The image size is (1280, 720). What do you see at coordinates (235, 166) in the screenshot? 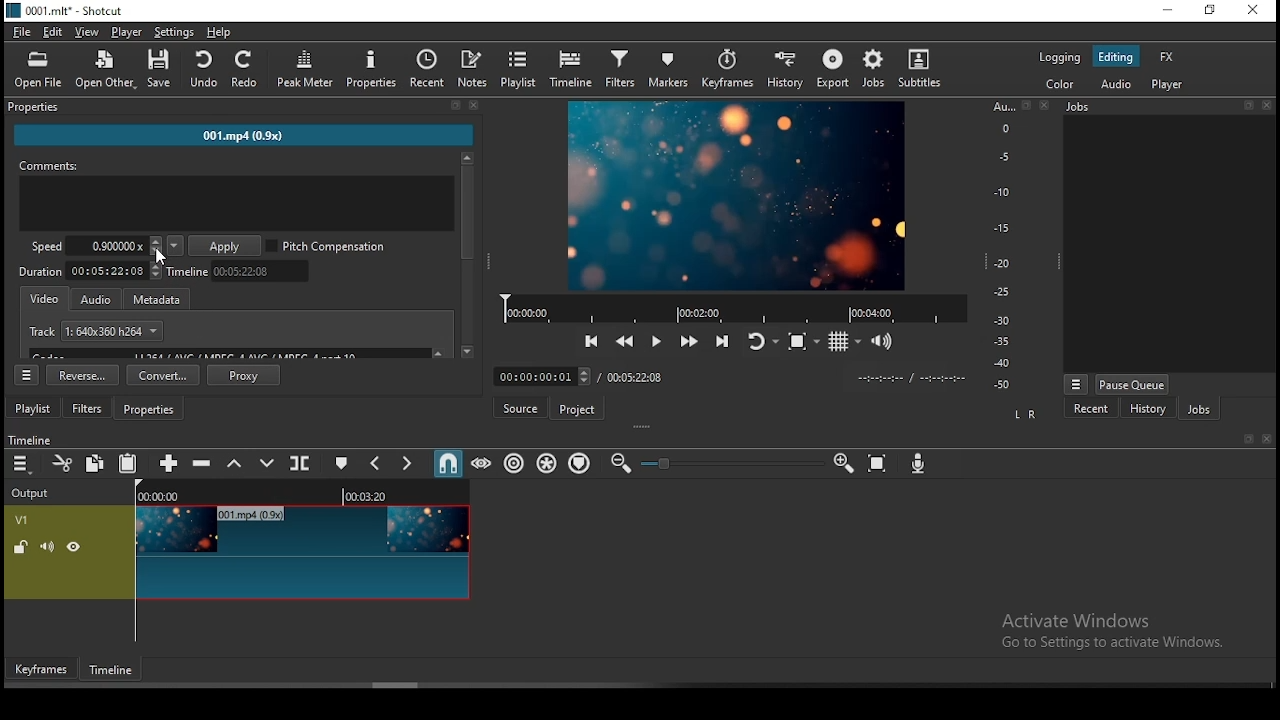
I see `comments` at bounding box center [235, 166].